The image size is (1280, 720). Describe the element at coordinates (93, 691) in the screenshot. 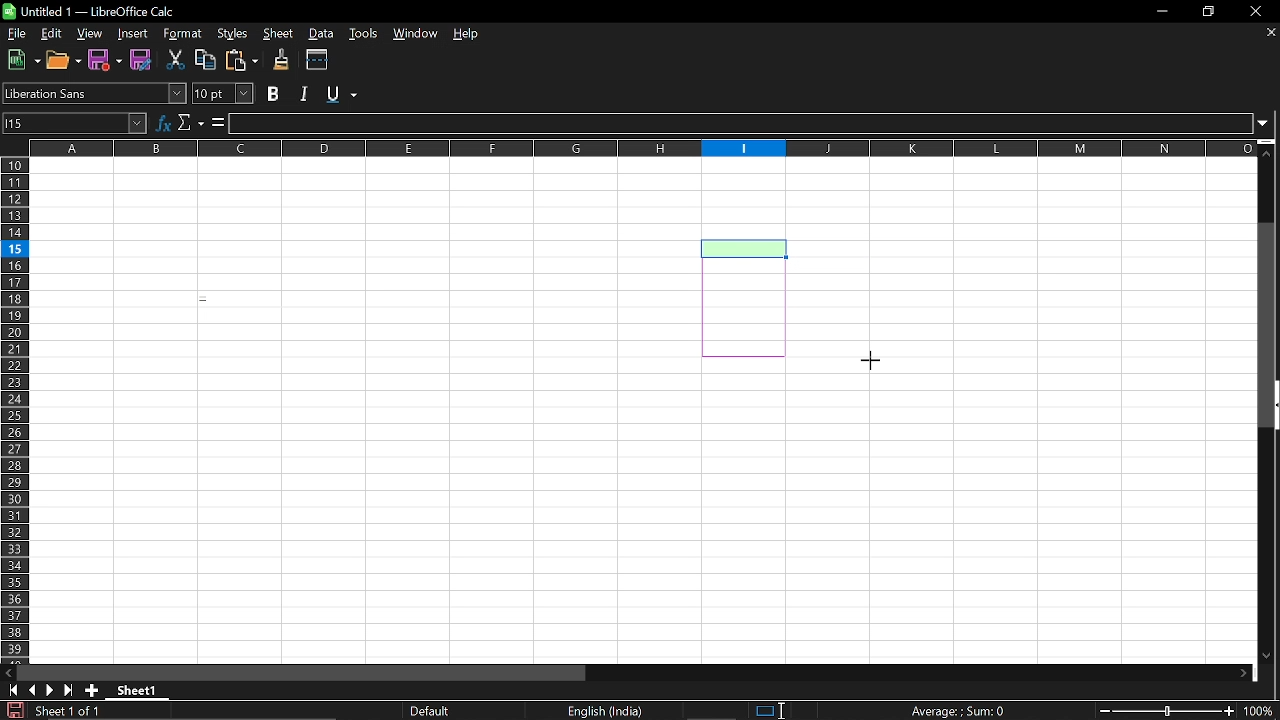

I see `Add sheet` at that location.